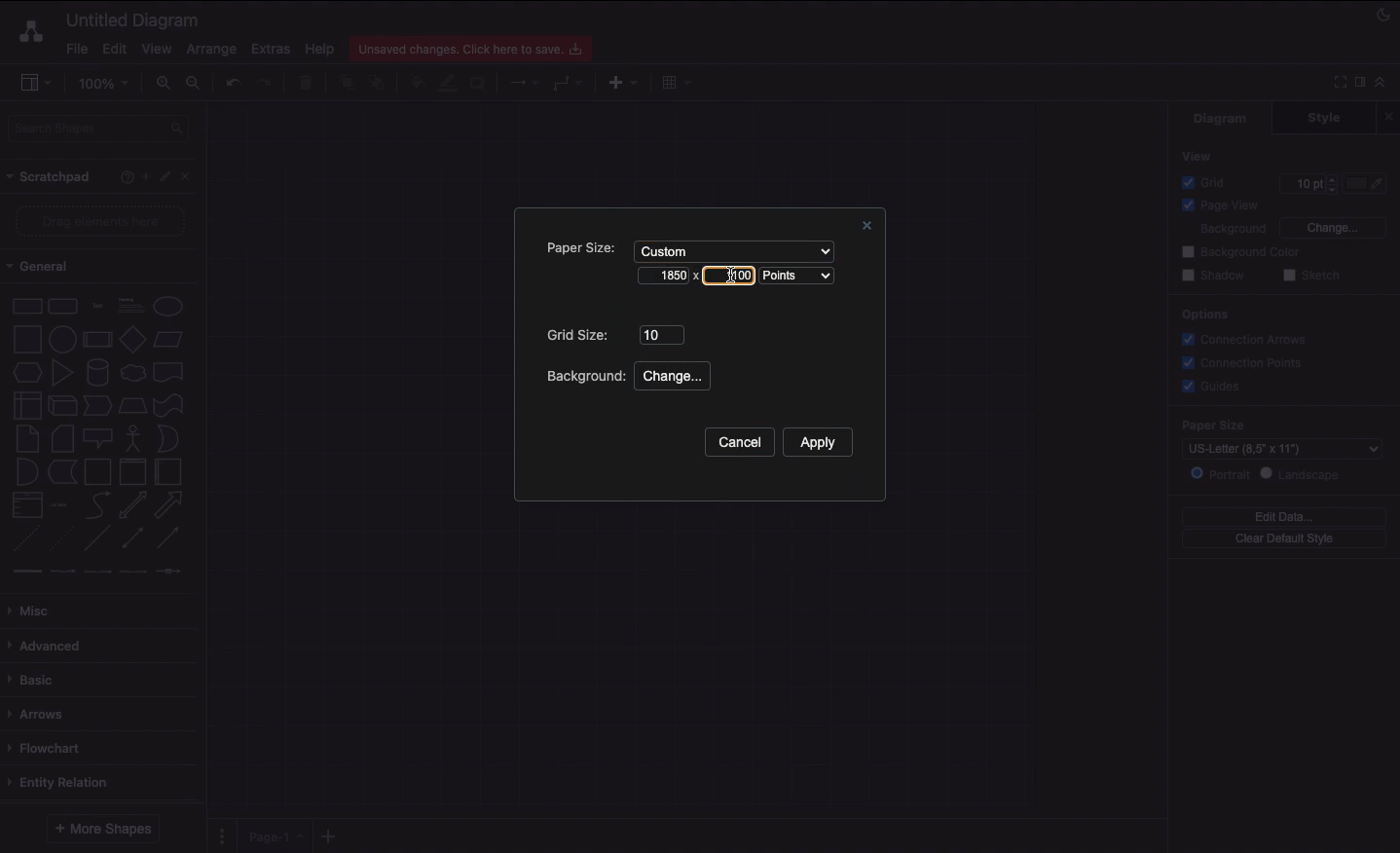 Image resolution: width=1400 pixels, height=853 pixels. What do you see at coordinates (48, 748) in the screenshot?
I see `Flowchart` at bounding box center [48, 748].